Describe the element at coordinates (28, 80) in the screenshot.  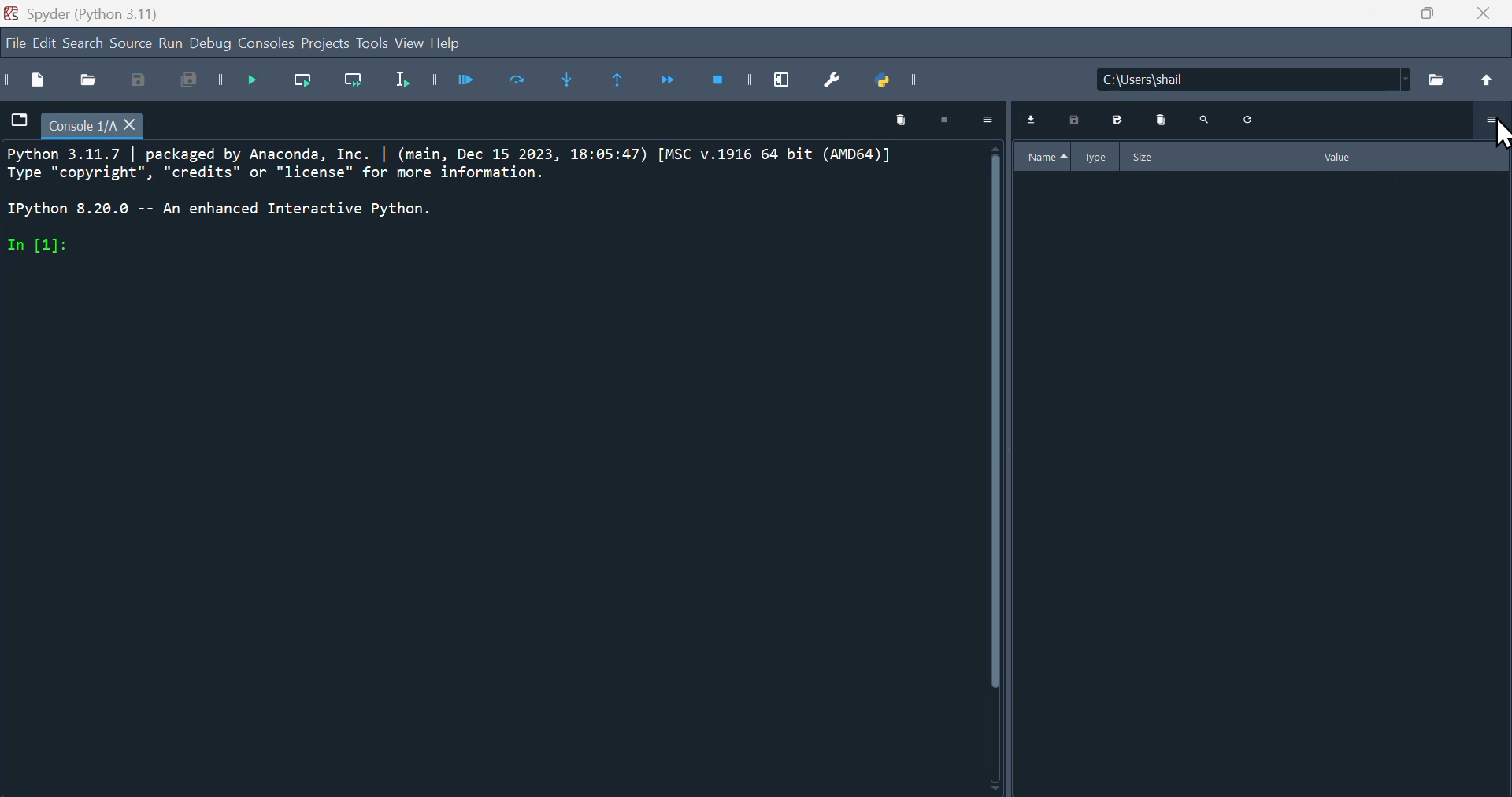
I see `New file` at that location.